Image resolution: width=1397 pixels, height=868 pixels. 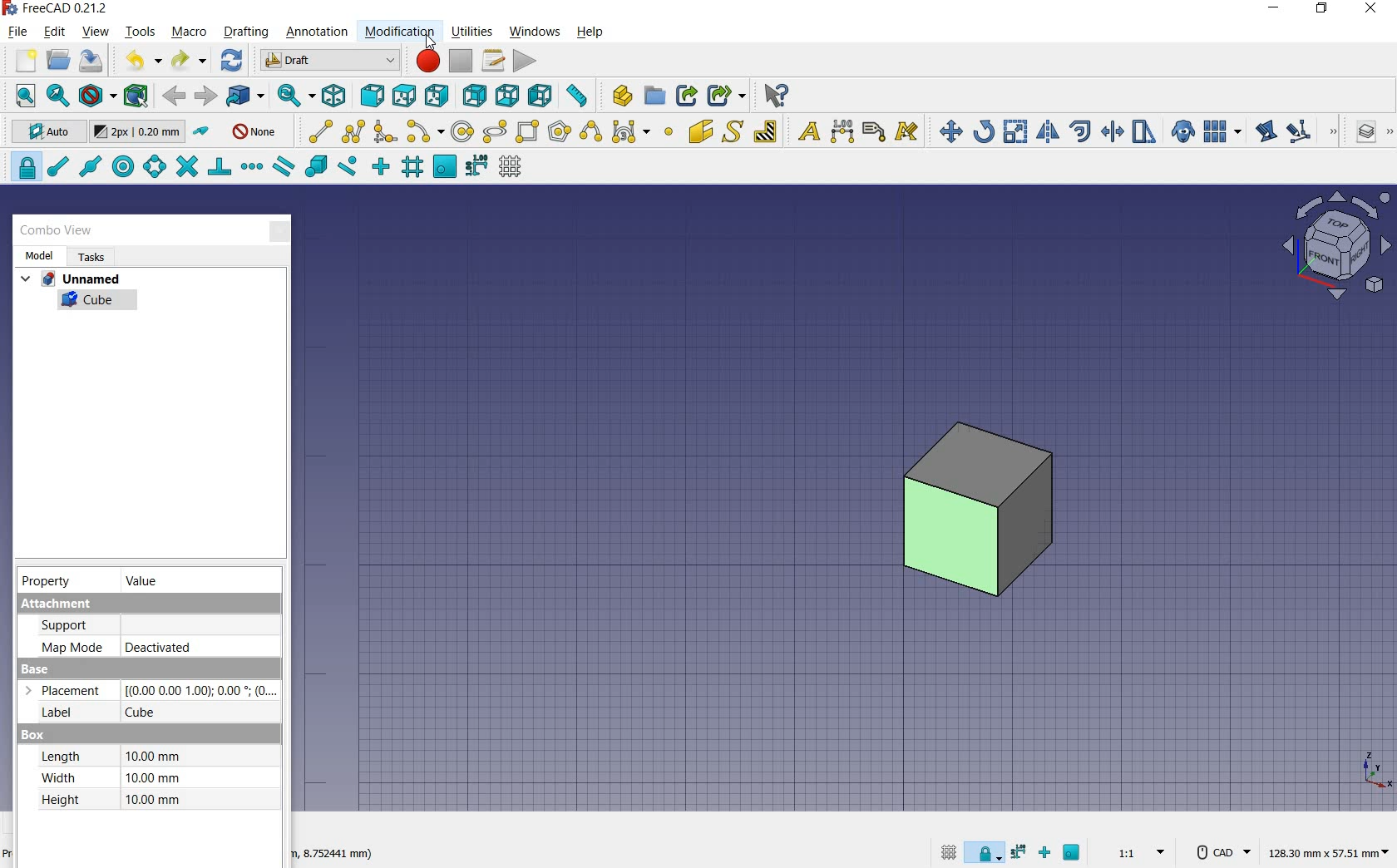 What do you see at coordinates (654, 96) in the screenshot?
I see `create group` at bounding box center [654, 96].